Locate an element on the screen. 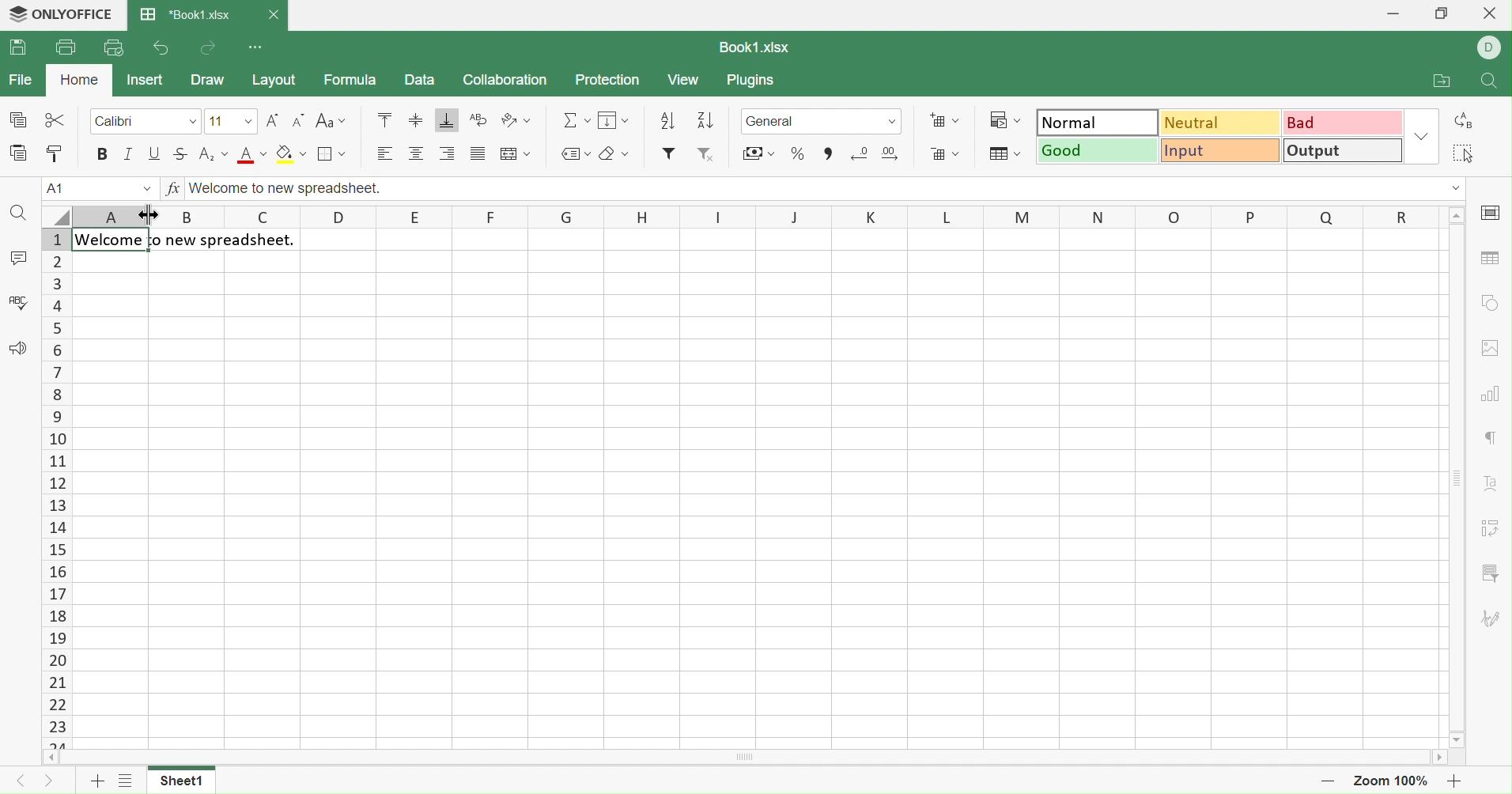 This screenshot has width=1512, height=794. Formula is located at coordinates (350, 81).